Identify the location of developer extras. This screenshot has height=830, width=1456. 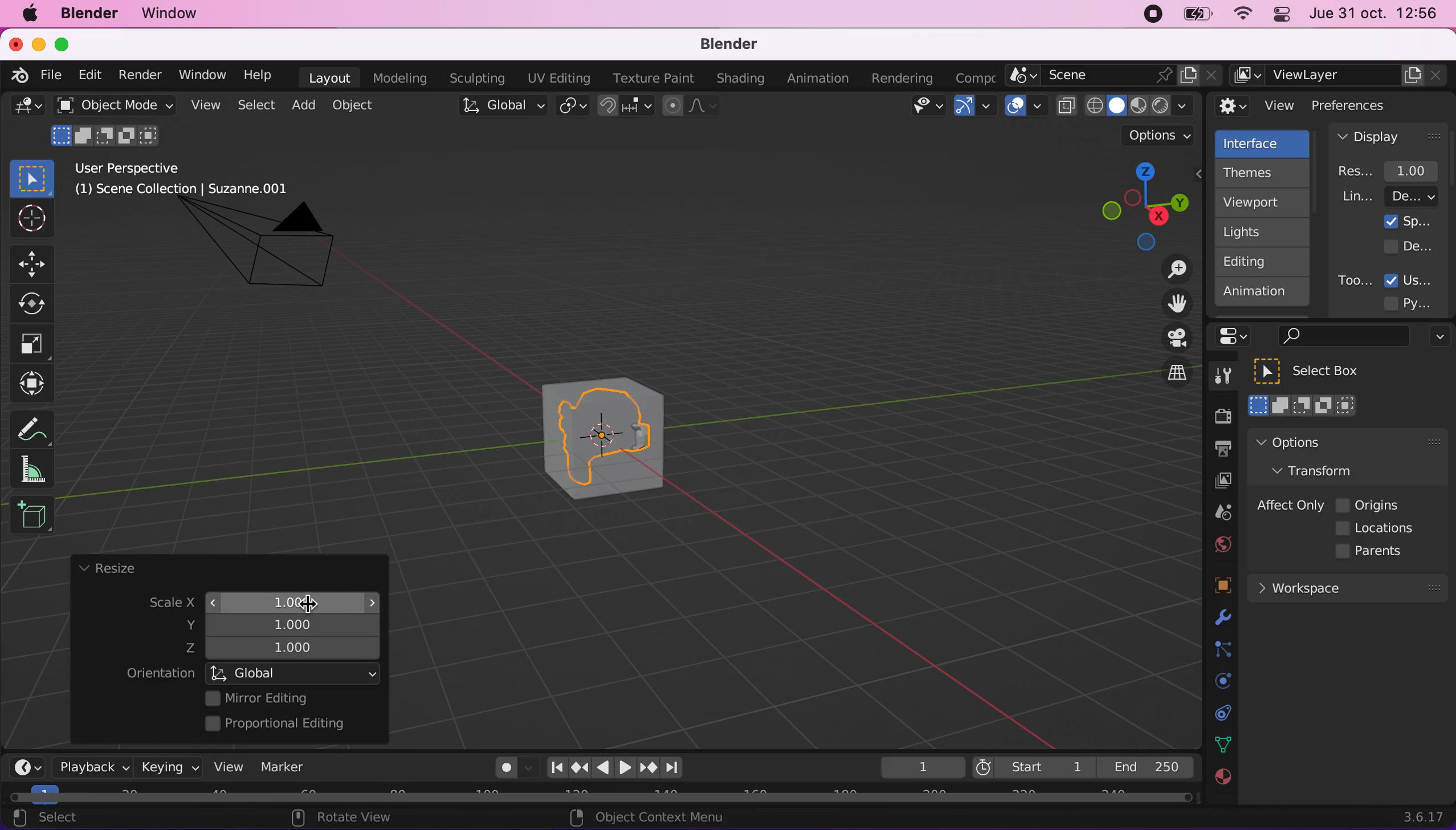
(1410, 246).